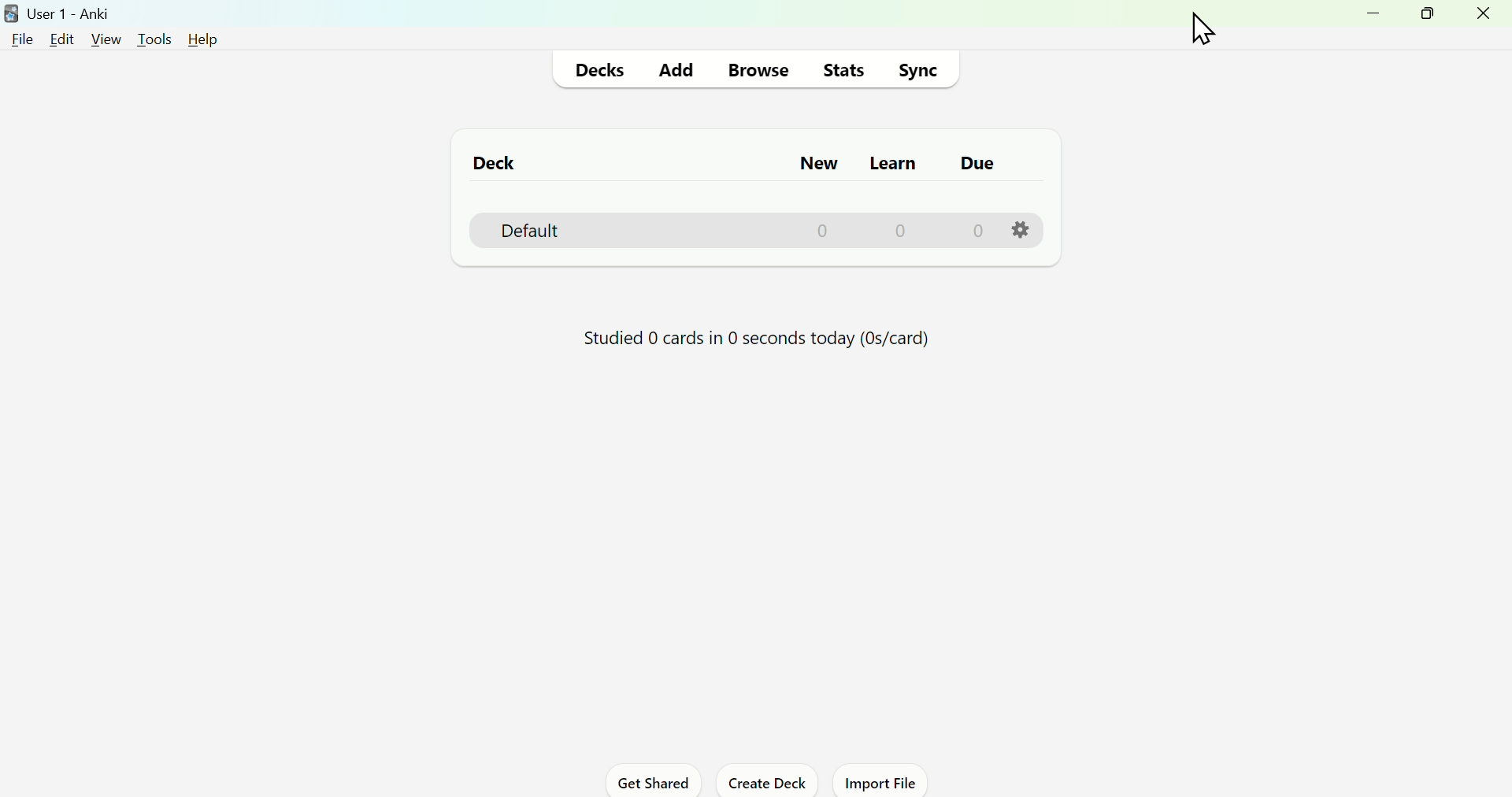 This screenshot has height=797, width=1512. I want to click on File, so click(20, 42).